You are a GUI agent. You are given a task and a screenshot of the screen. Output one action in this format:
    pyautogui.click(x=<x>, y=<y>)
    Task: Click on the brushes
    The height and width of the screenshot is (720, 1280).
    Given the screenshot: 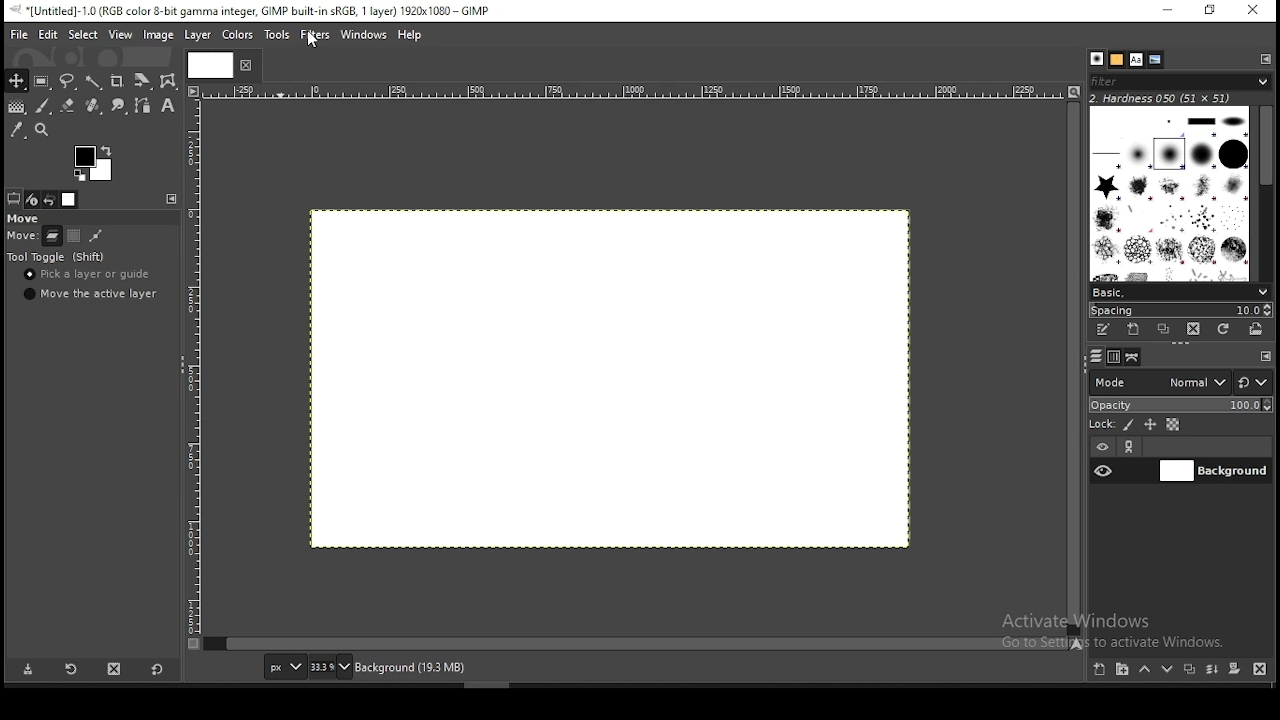 What is the action you would take?
    pyautogui.click(x=1097, y=58)
    